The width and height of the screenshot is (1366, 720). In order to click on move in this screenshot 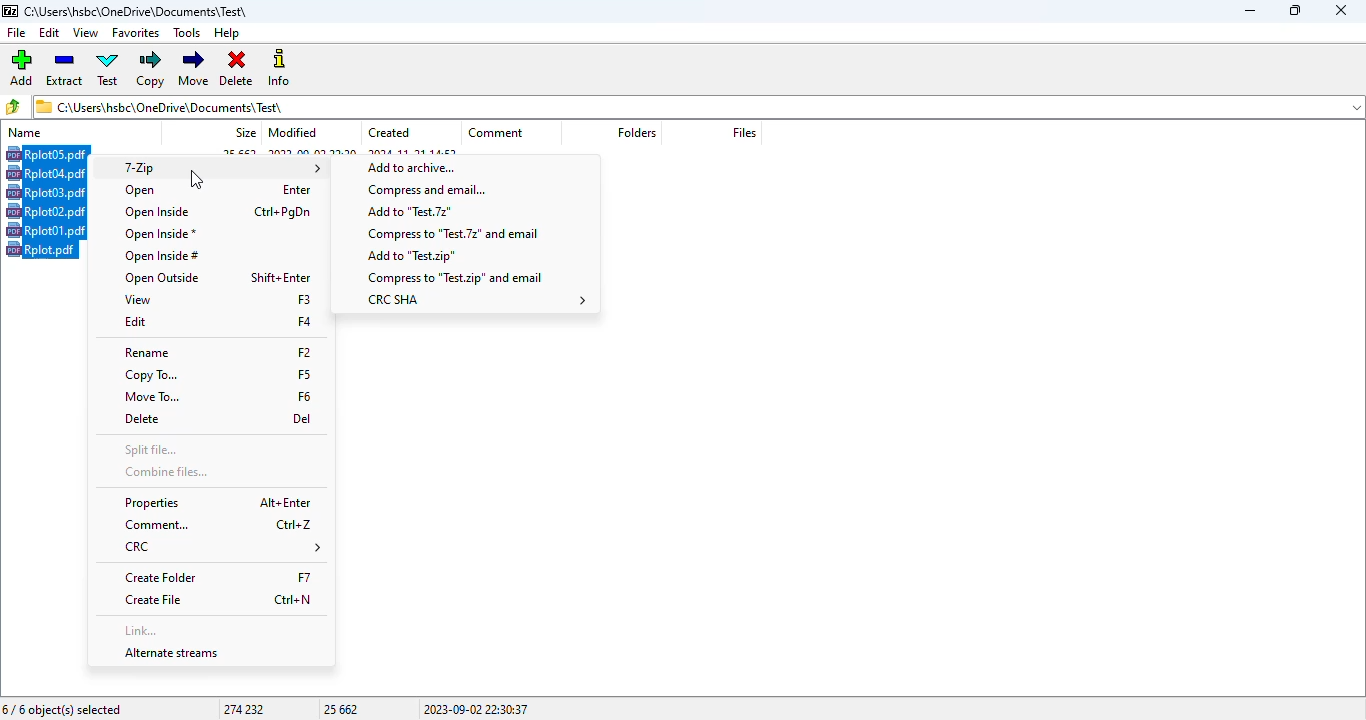, I will do `click(195, 68)`.